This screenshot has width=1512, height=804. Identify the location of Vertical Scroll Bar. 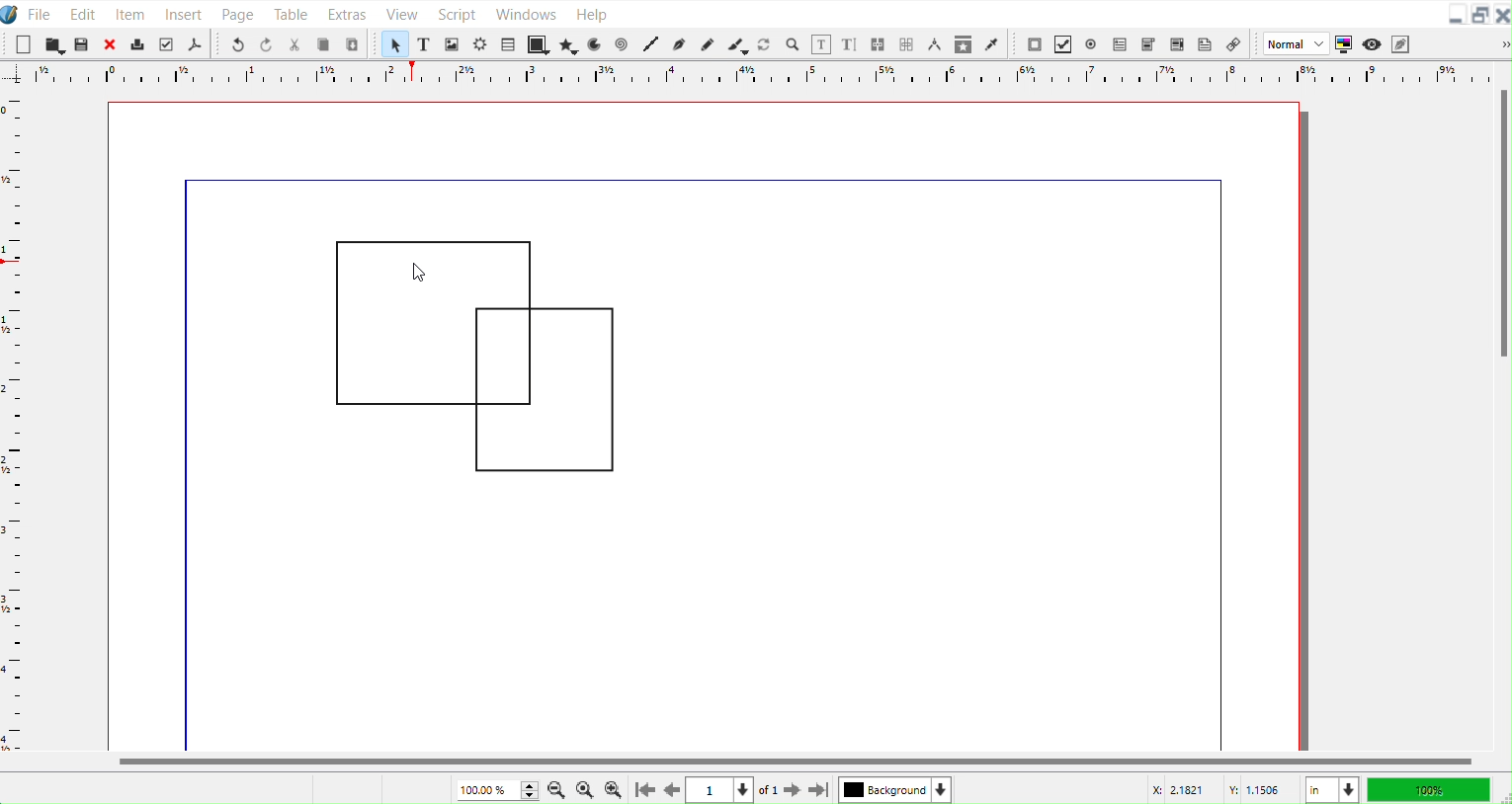
(1501, 404).